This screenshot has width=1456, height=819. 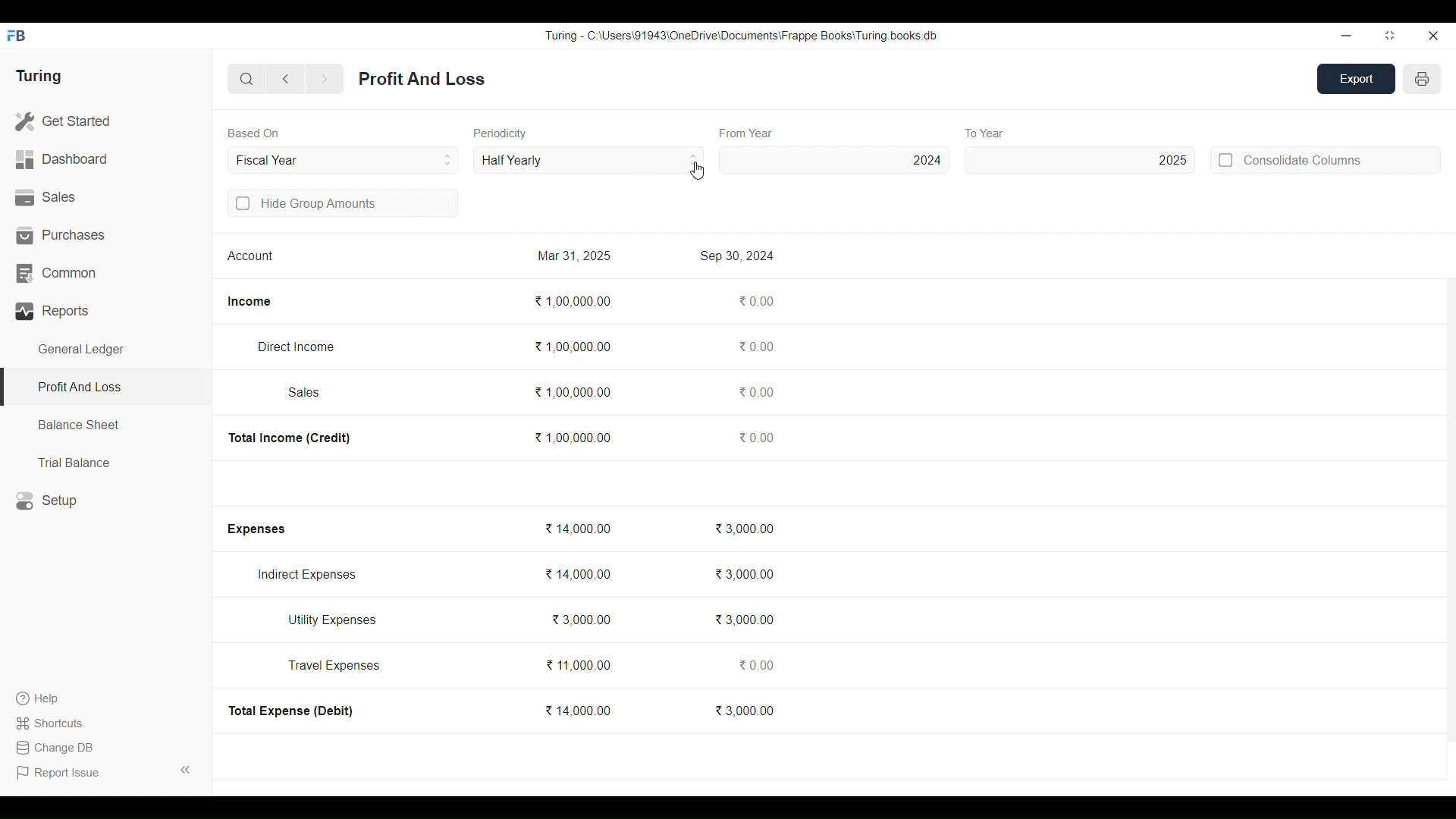 I want to click on 0.00, so click(x=755, y=665).